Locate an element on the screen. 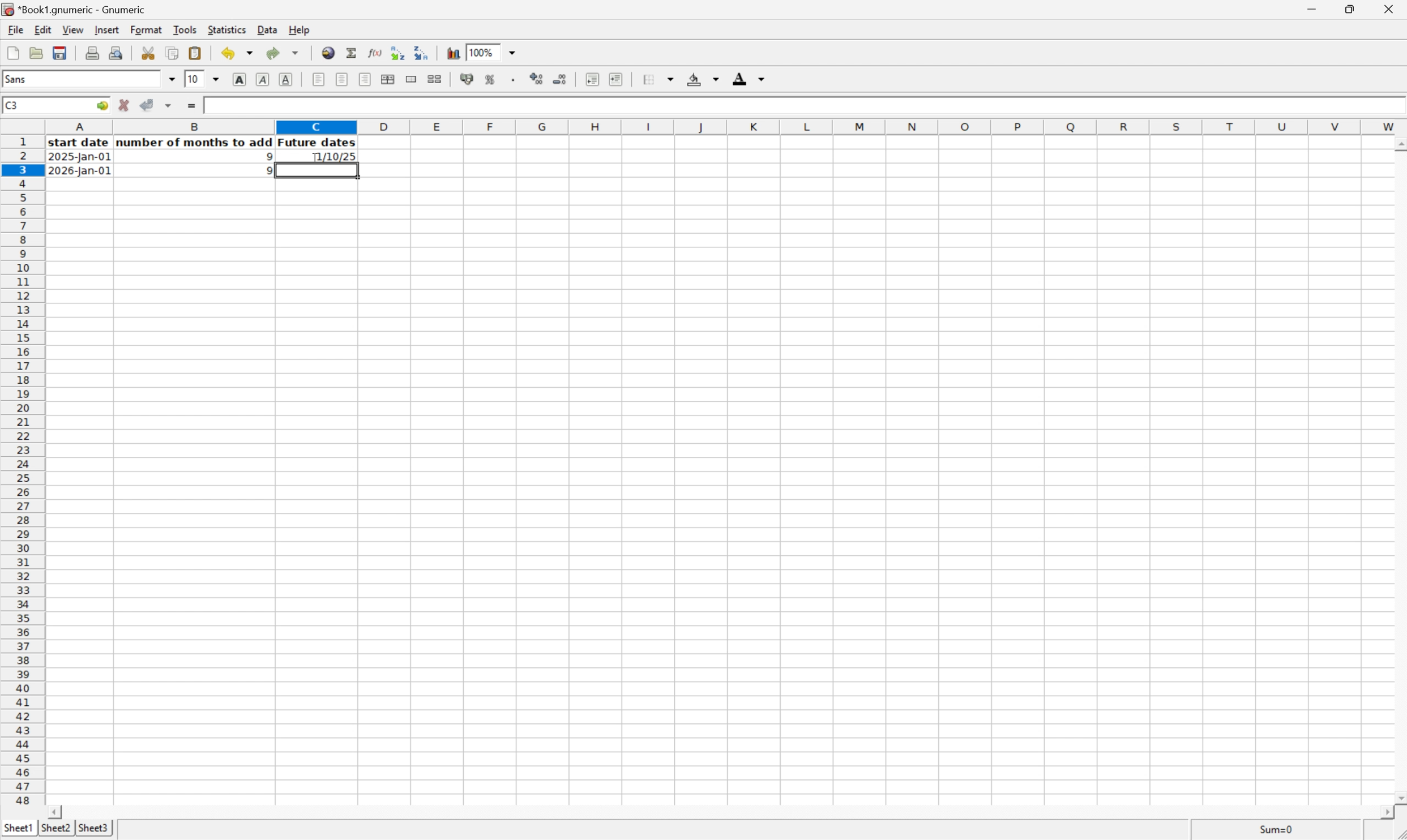 The width and height of the screenshot is (1407, 840). Scroll Right is located at coordinates (1383, 812).